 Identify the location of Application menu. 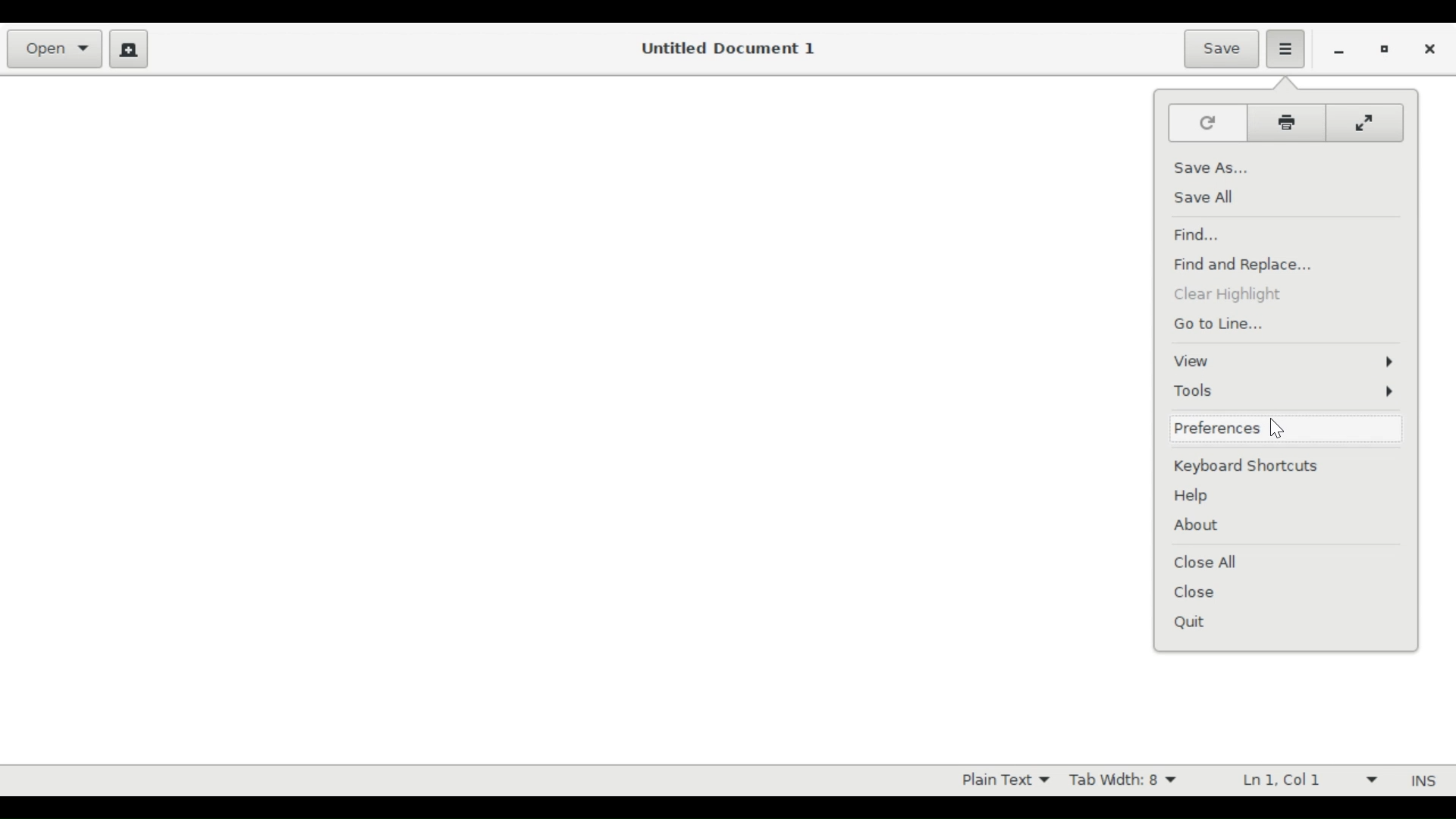
(1285, 49).